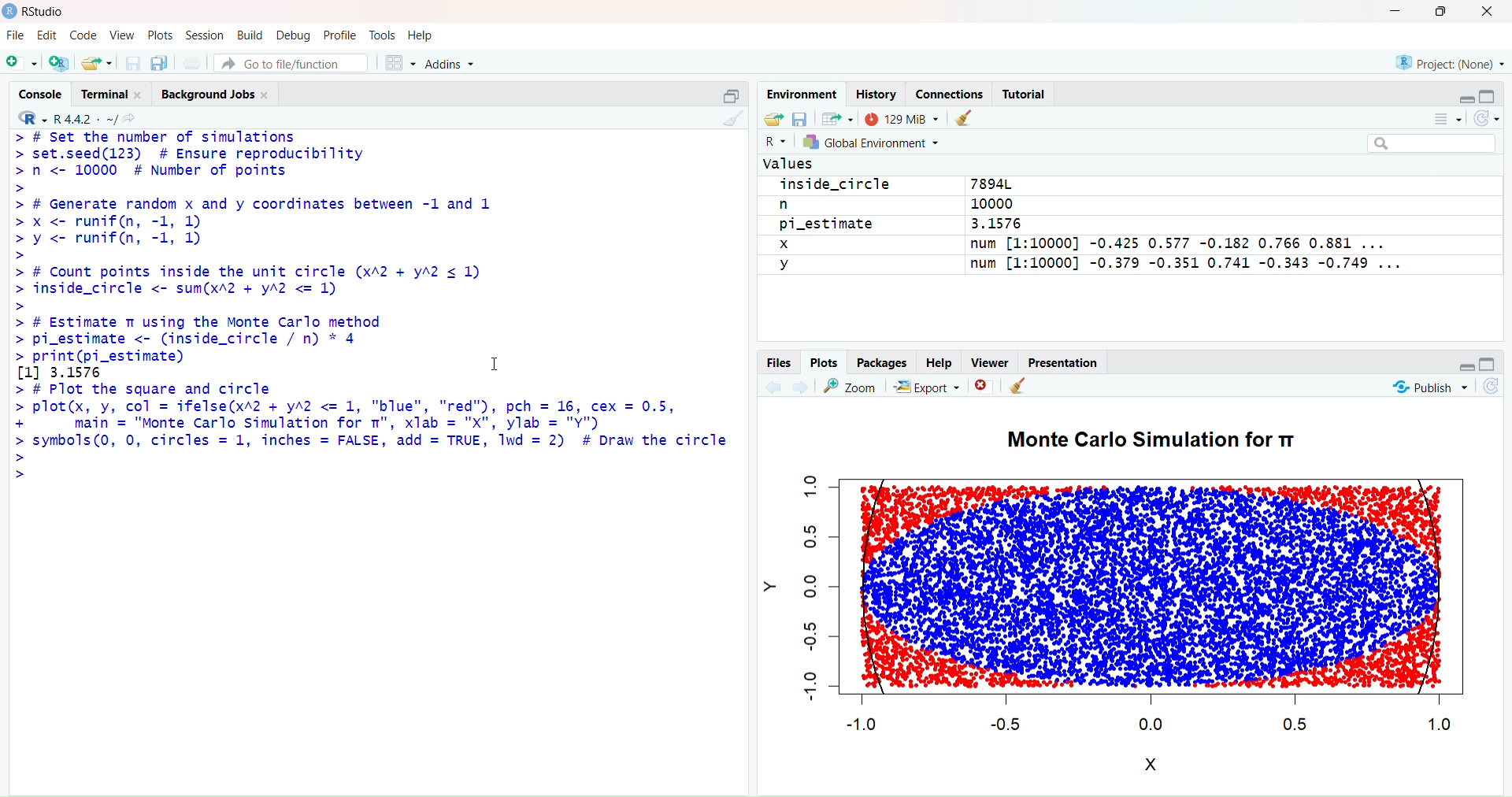 Image resolution: width=1512 pixels, height=797 pixels. Describe the element at coordinates (927, 390) in the screenshot. I see `Export` at that location.